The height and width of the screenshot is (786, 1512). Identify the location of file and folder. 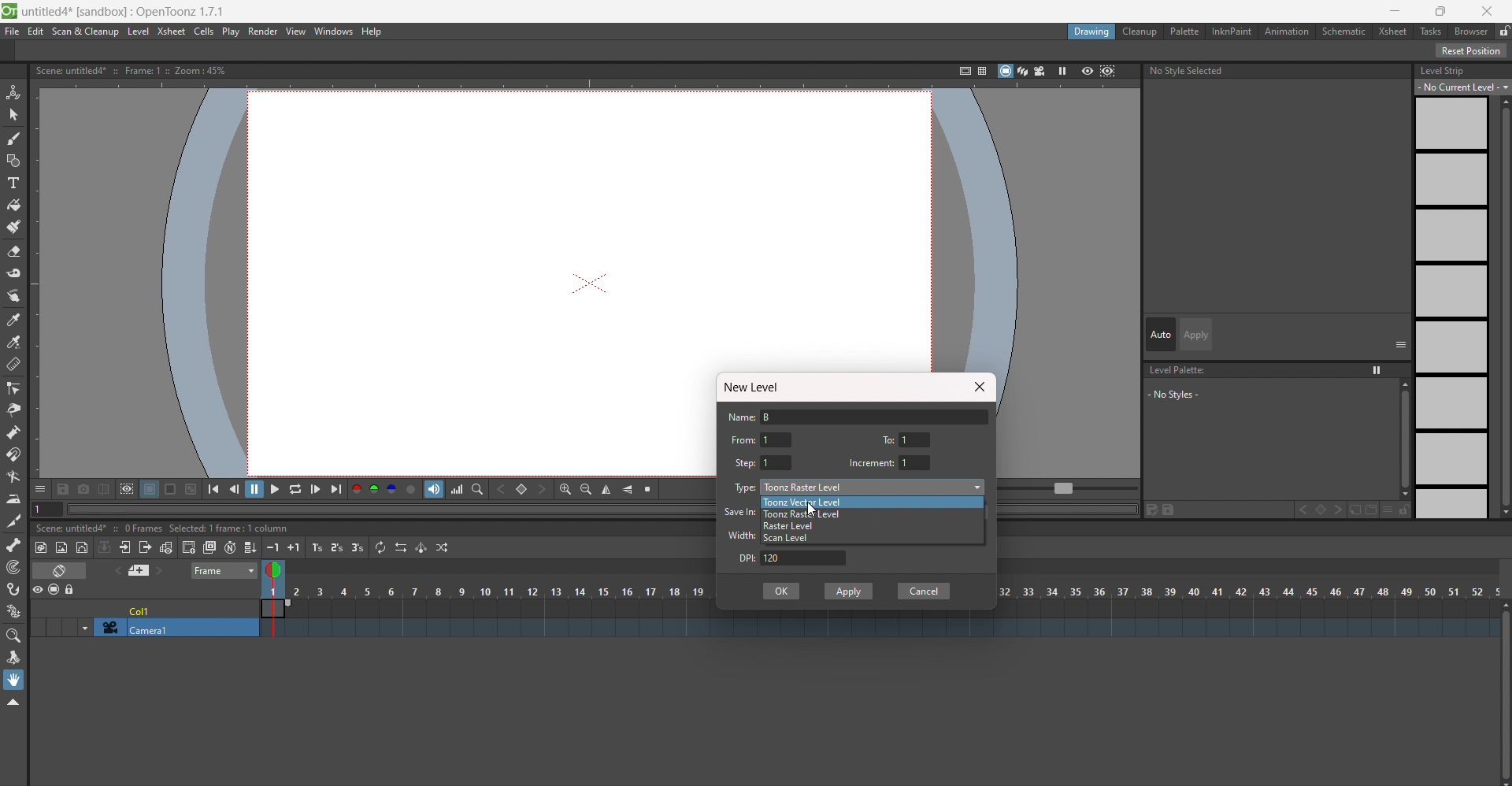
(1363, 510).